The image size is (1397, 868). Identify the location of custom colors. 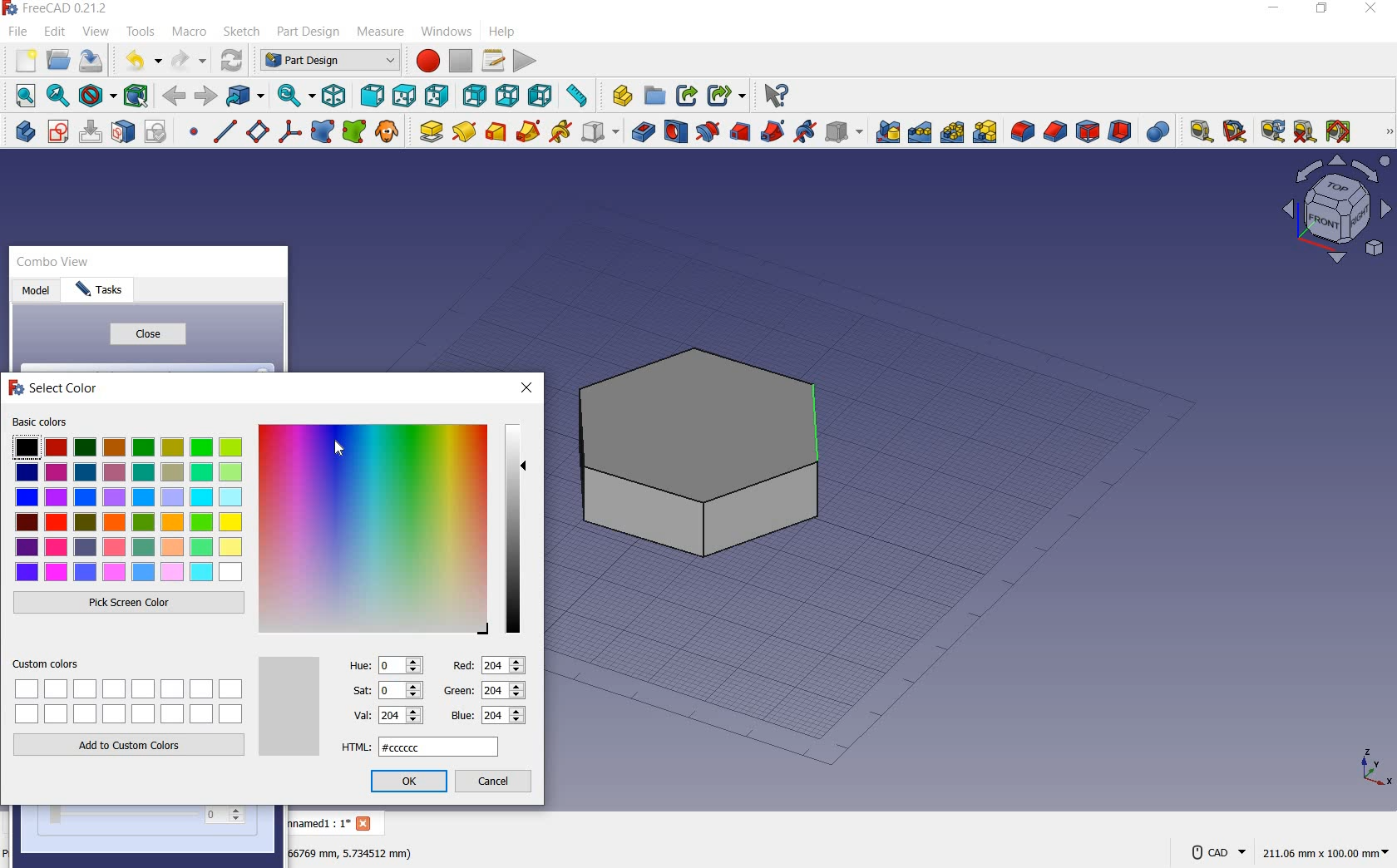
(131, 691).